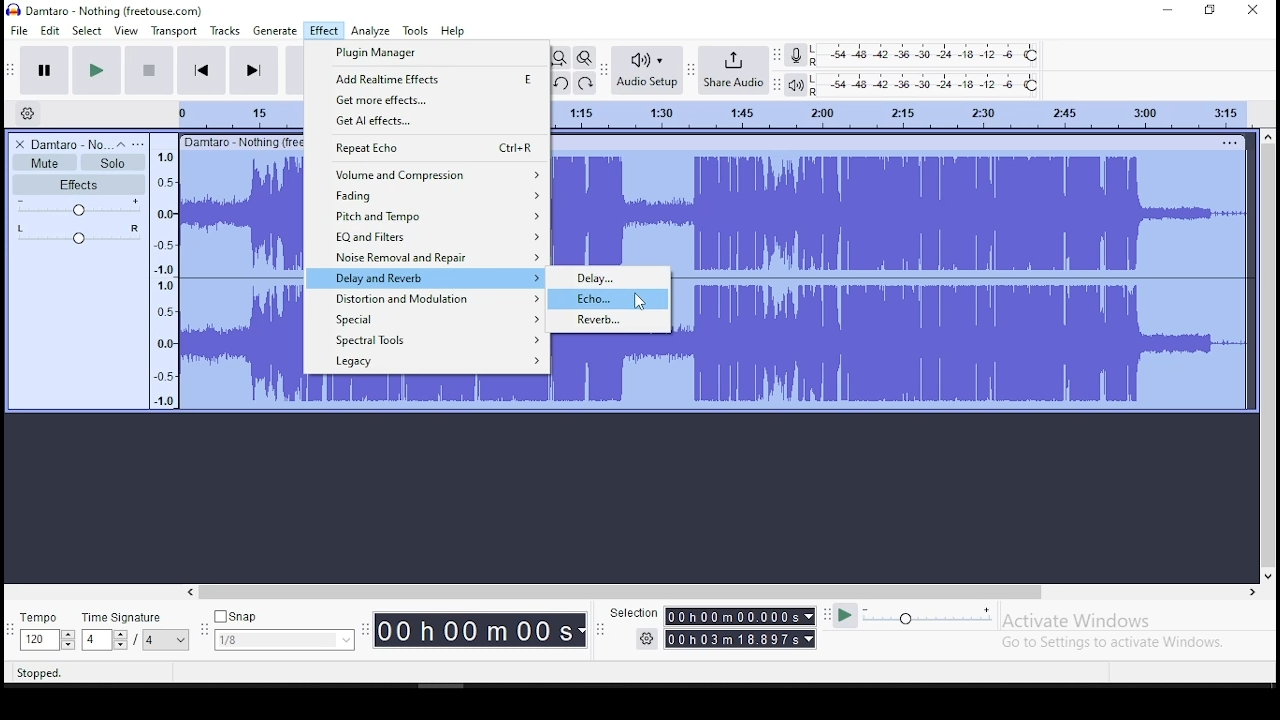 This screenshot has height=720, width=1280. What do you see at coordinates (67, 641) in the screenshot?
I see `Drop down` at bounding box center [67, 641].